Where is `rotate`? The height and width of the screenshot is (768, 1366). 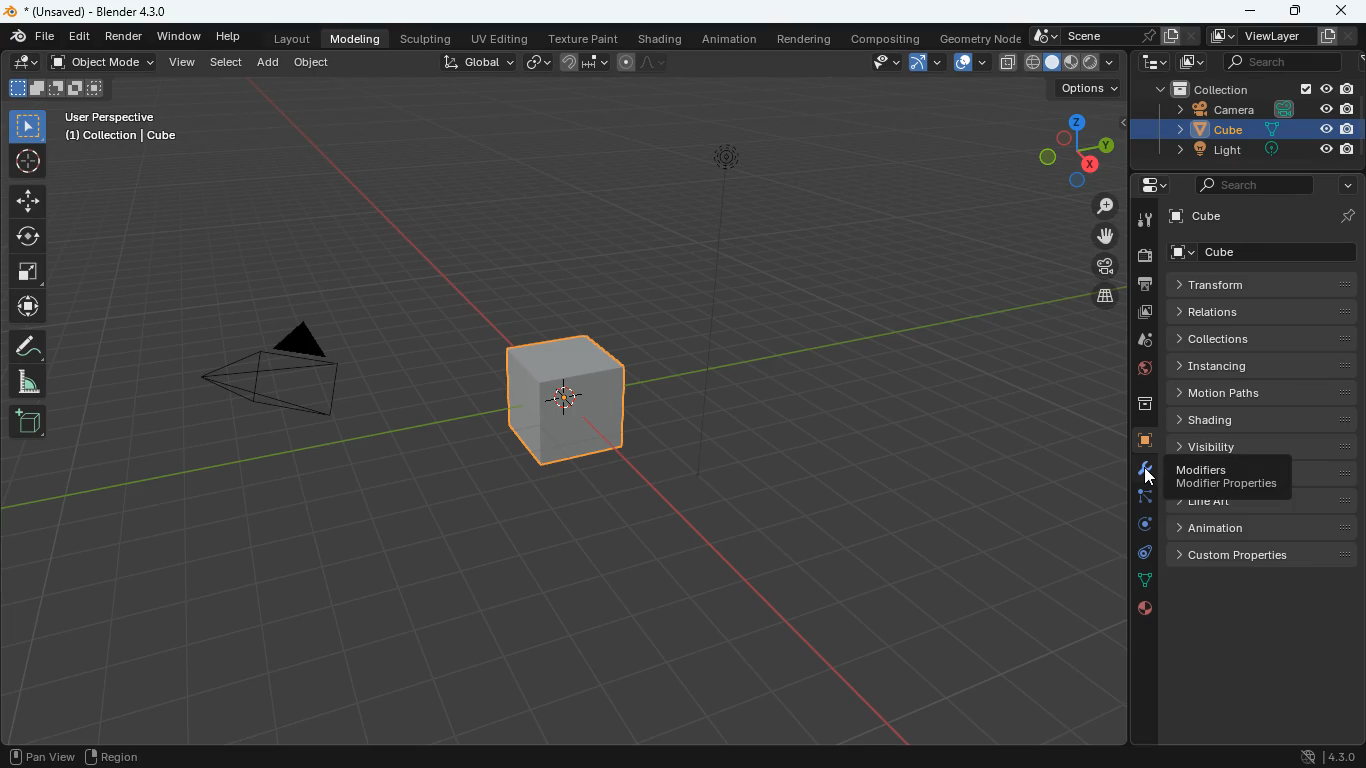
rotate is located at coordinates (1135, 524).